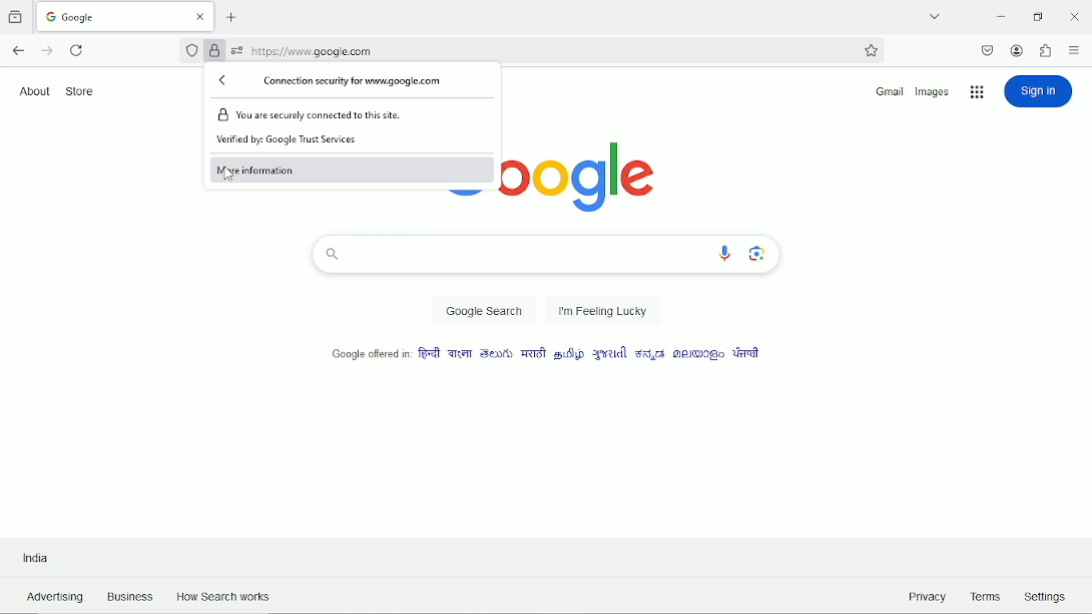  Describe the element at coordinates (130, 595) in the screenshot. I see `Business` at that location.